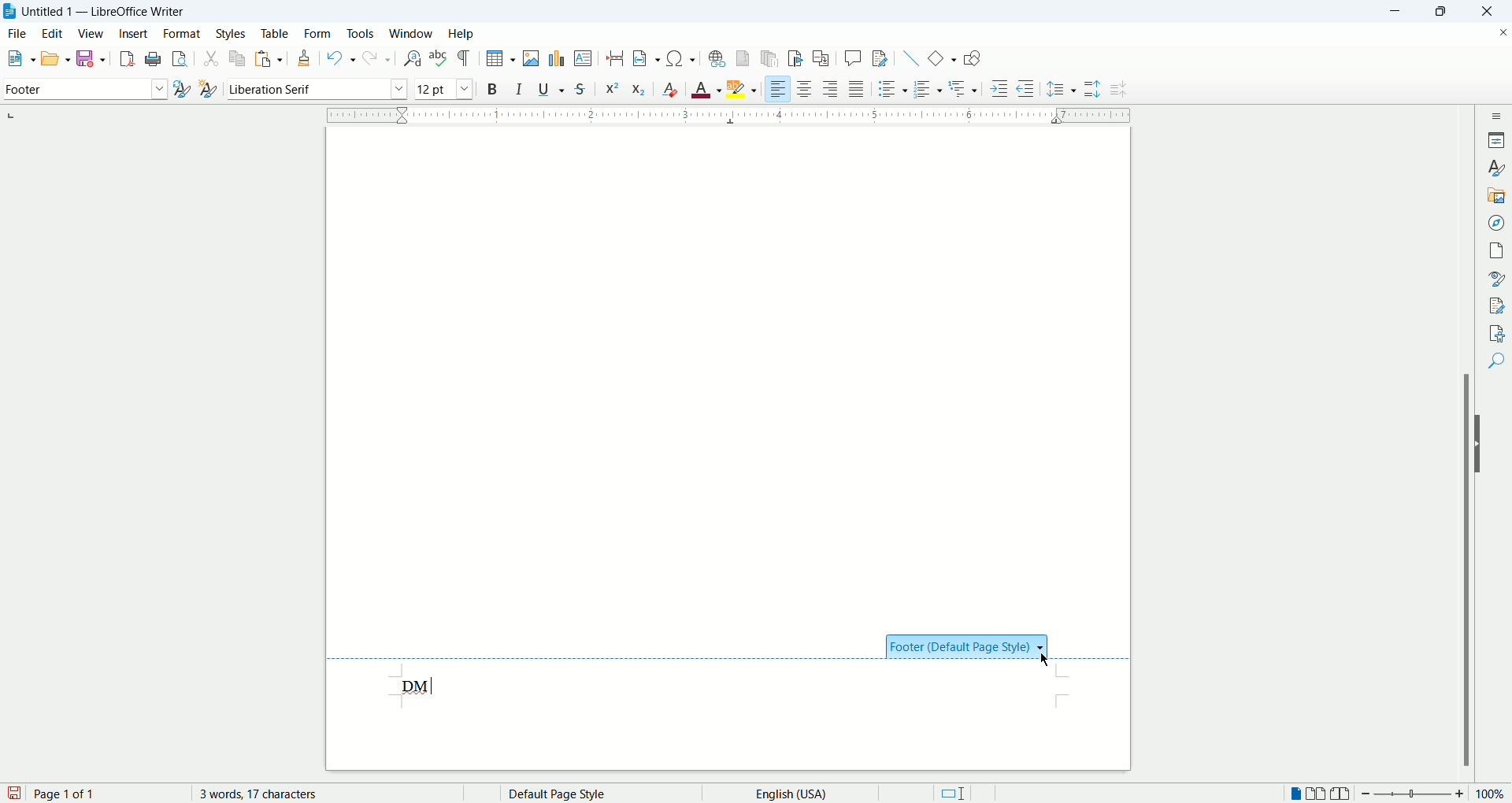 The width and height of the screenshot is (1512, 803). Describe the element at coordinates (832, 91) in the screenshot. I see `align right` at that location.